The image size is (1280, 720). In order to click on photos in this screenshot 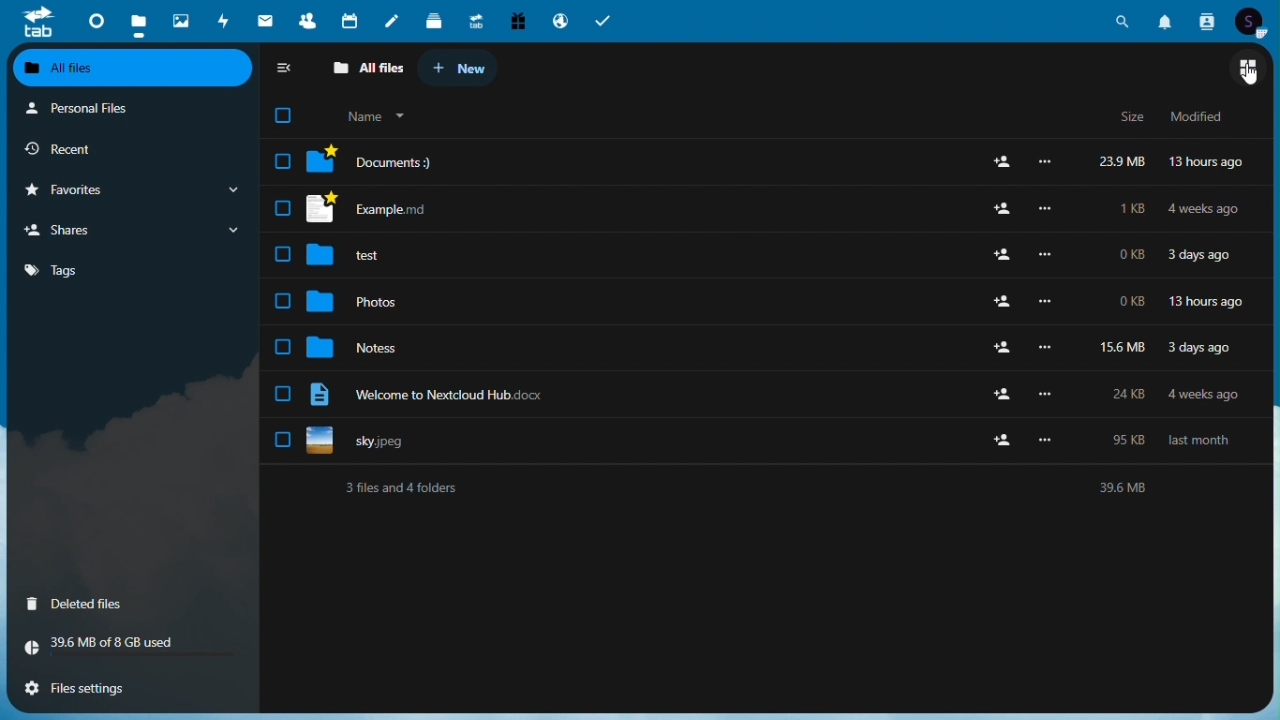, I will do `click(380, 304)`.